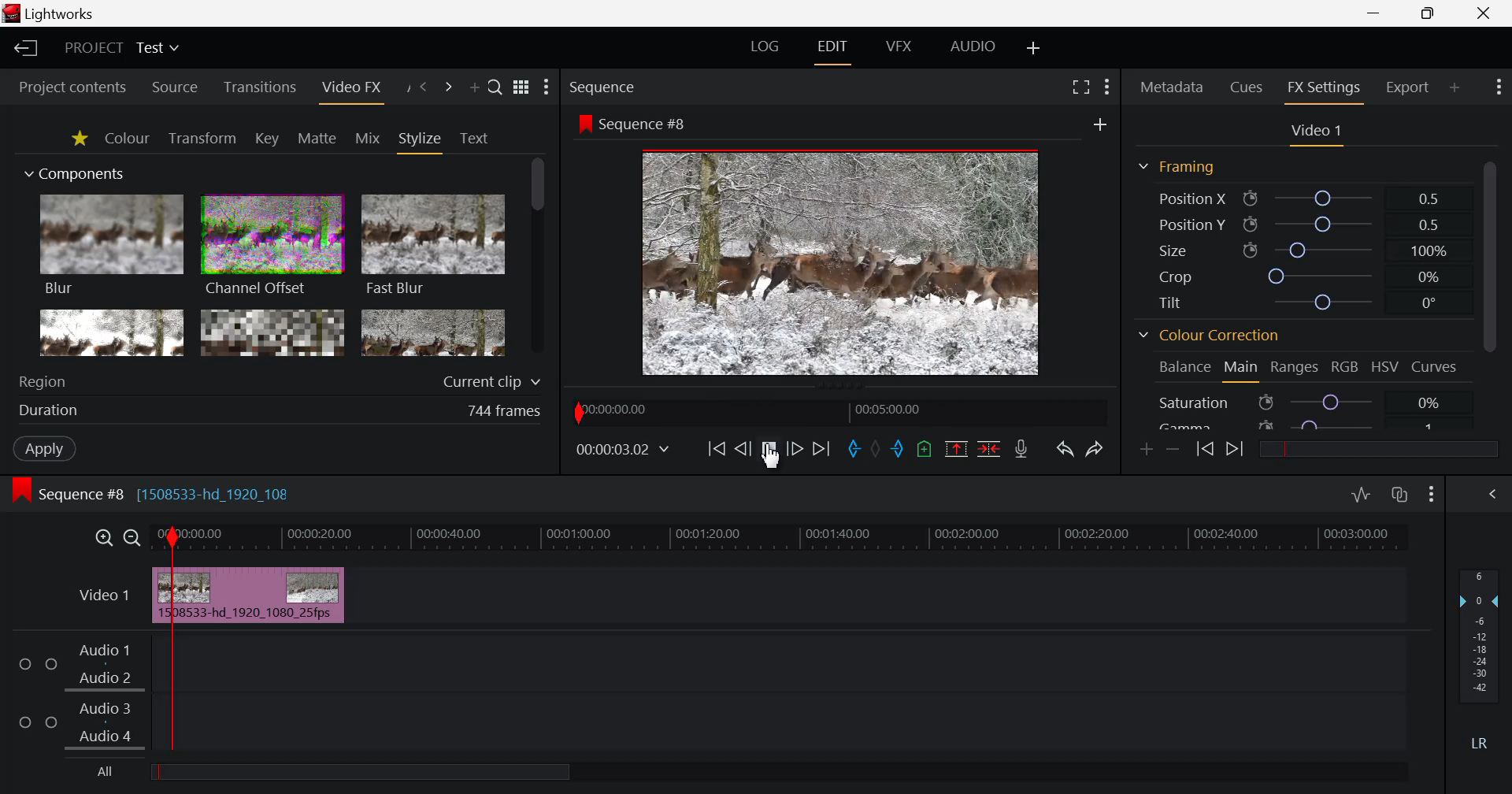  Describe the element at coordinates (25, 49) in the screenshot. I see `Back to Homepage` at that location.